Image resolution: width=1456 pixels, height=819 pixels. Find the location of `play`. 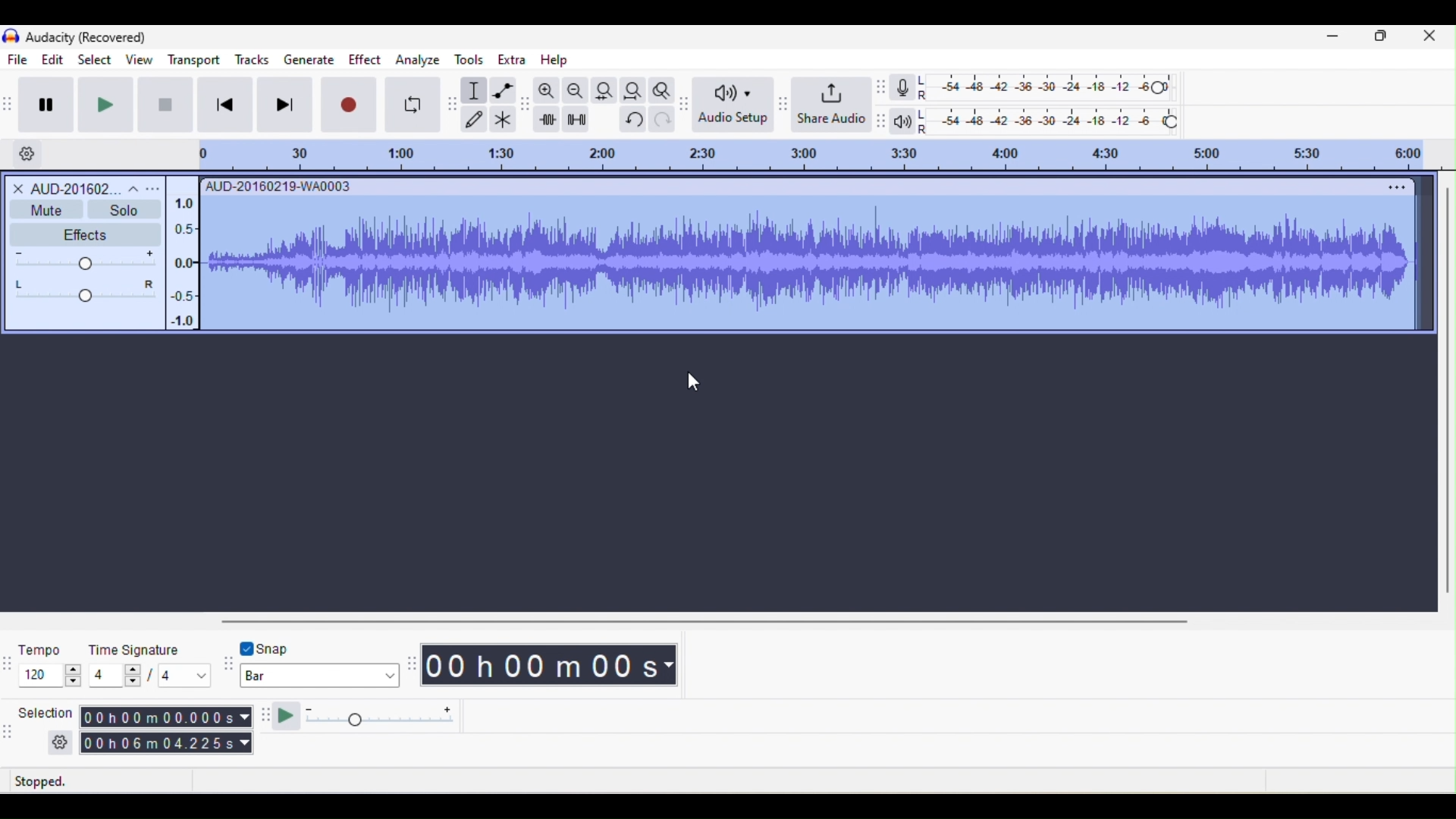

play is located at coordinates (112, 105).